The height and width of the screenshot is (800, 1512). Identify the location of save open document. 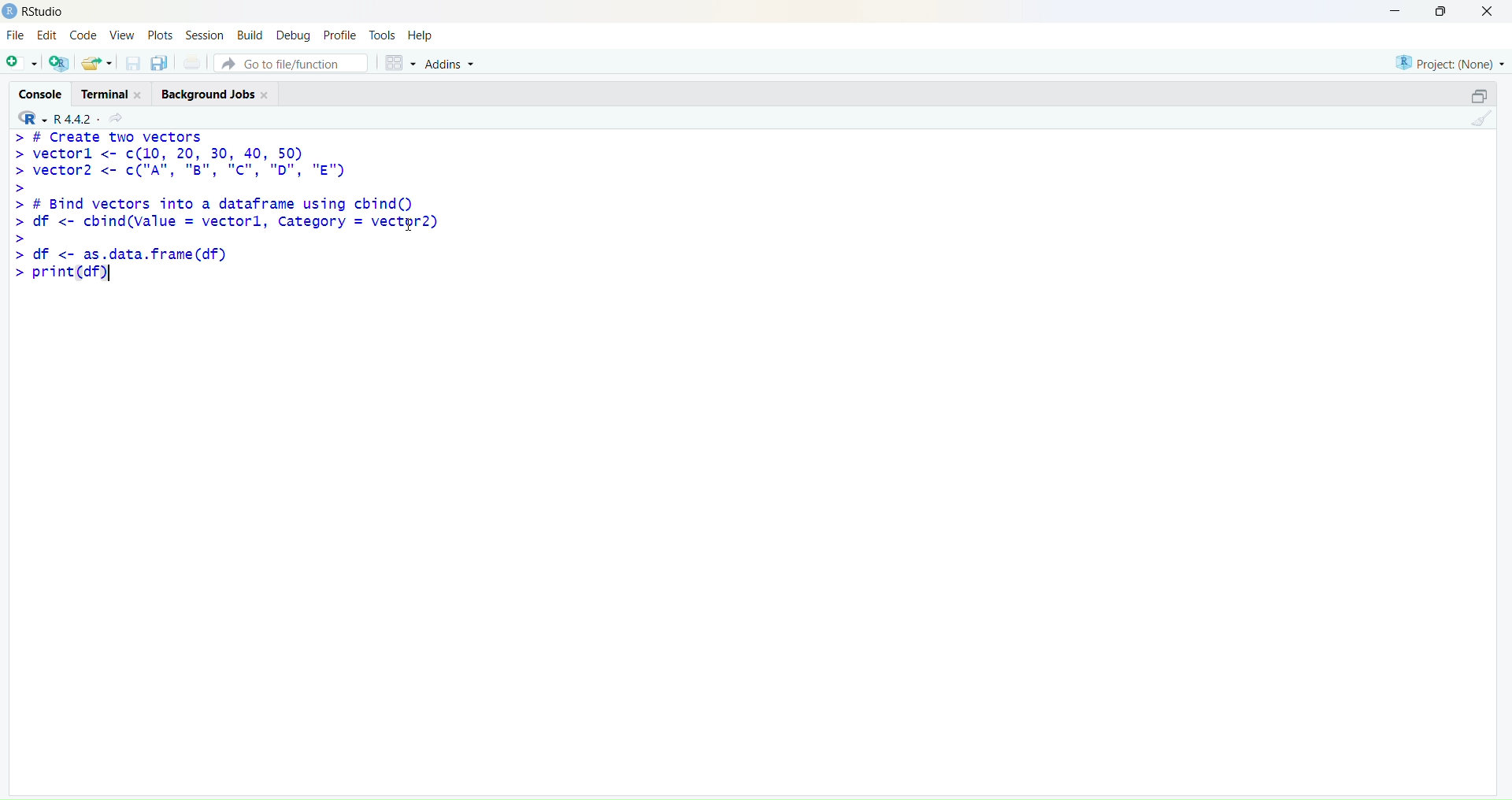
(132, 65).